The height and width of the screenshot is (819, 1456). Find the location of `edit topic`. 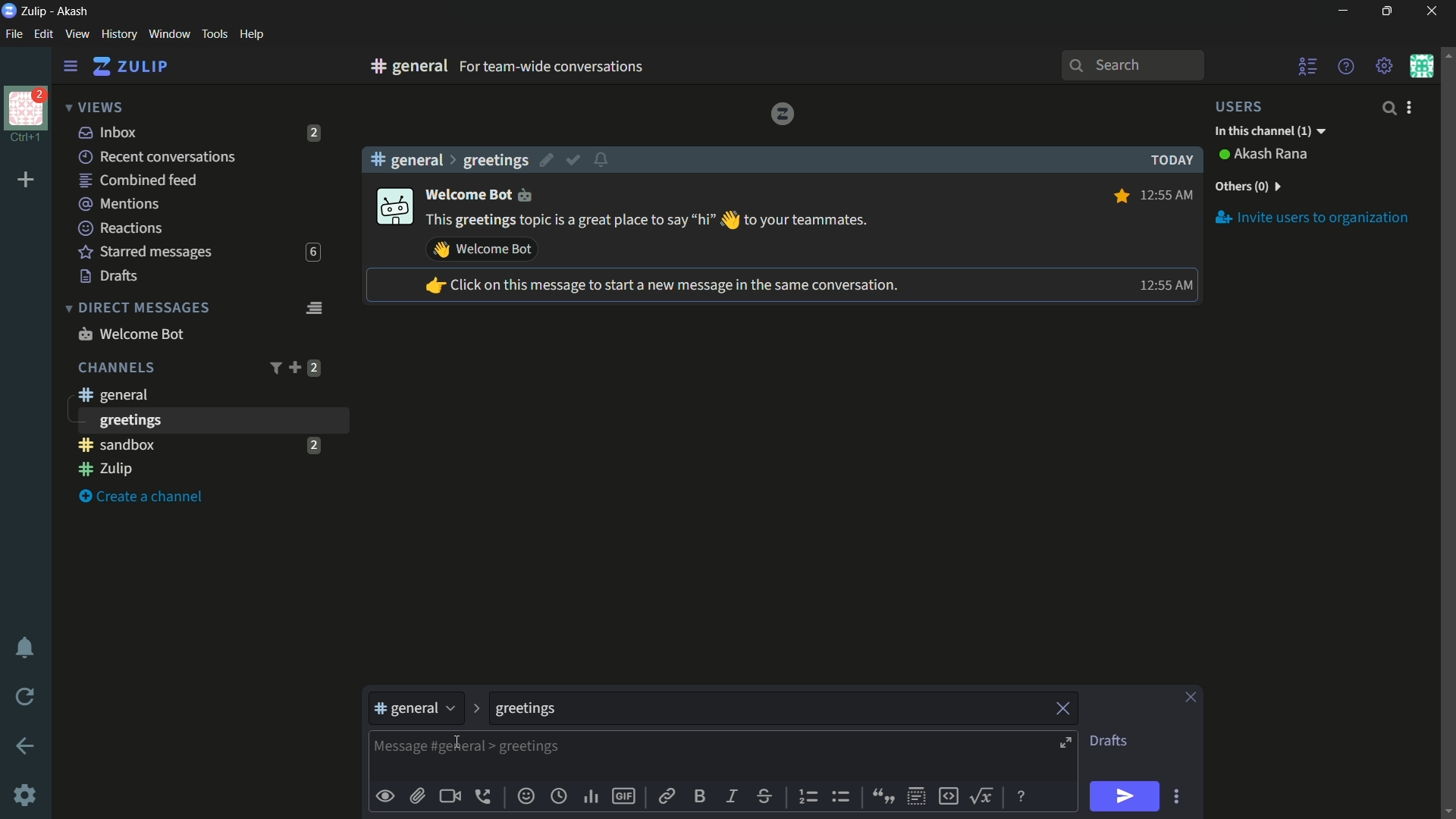

edit topic is located at coordinates (548, 162).